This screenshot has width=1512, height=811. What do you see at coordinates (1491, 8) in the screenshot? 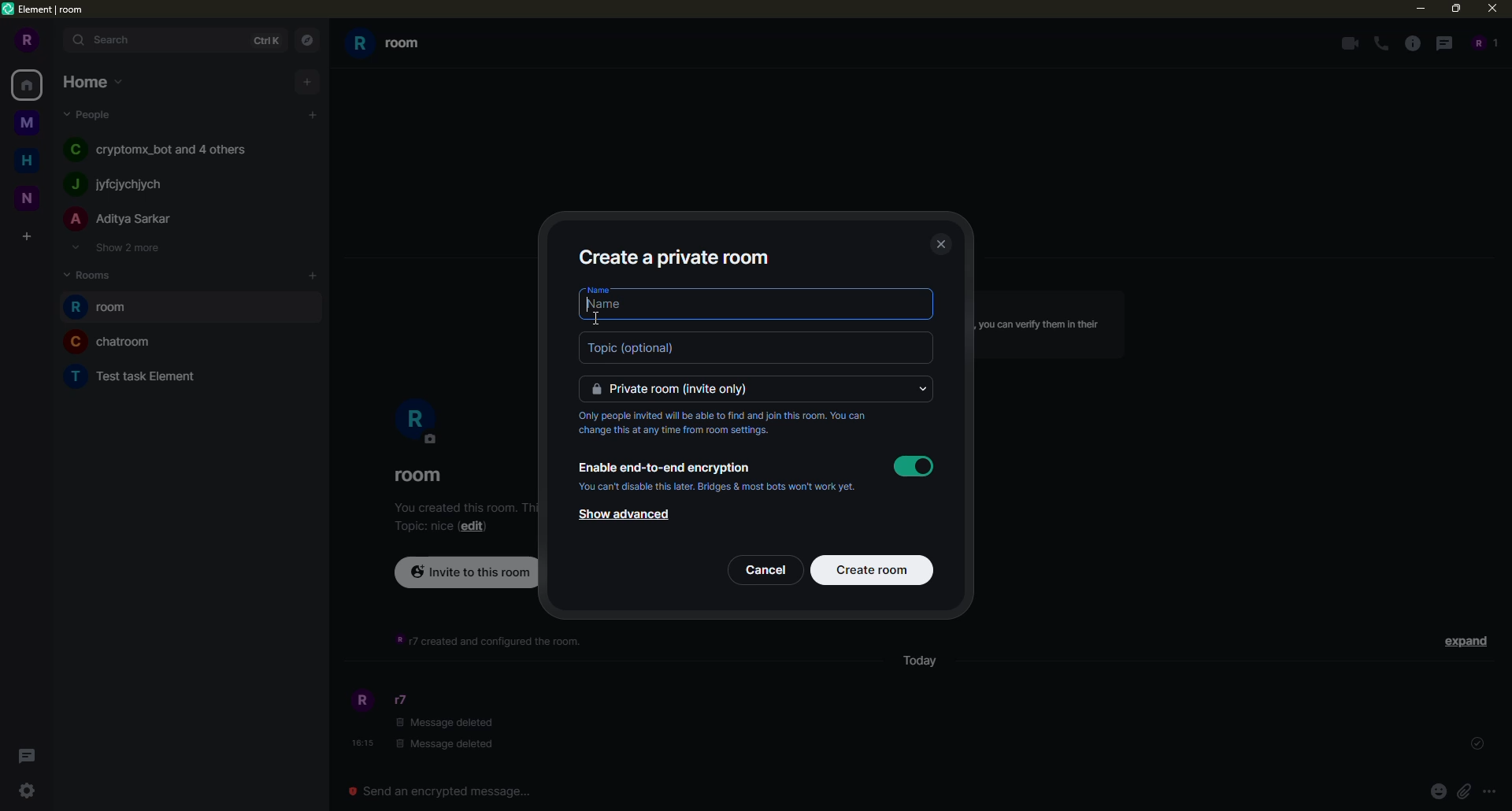
I see `close` at bounding box center [1491, 8].